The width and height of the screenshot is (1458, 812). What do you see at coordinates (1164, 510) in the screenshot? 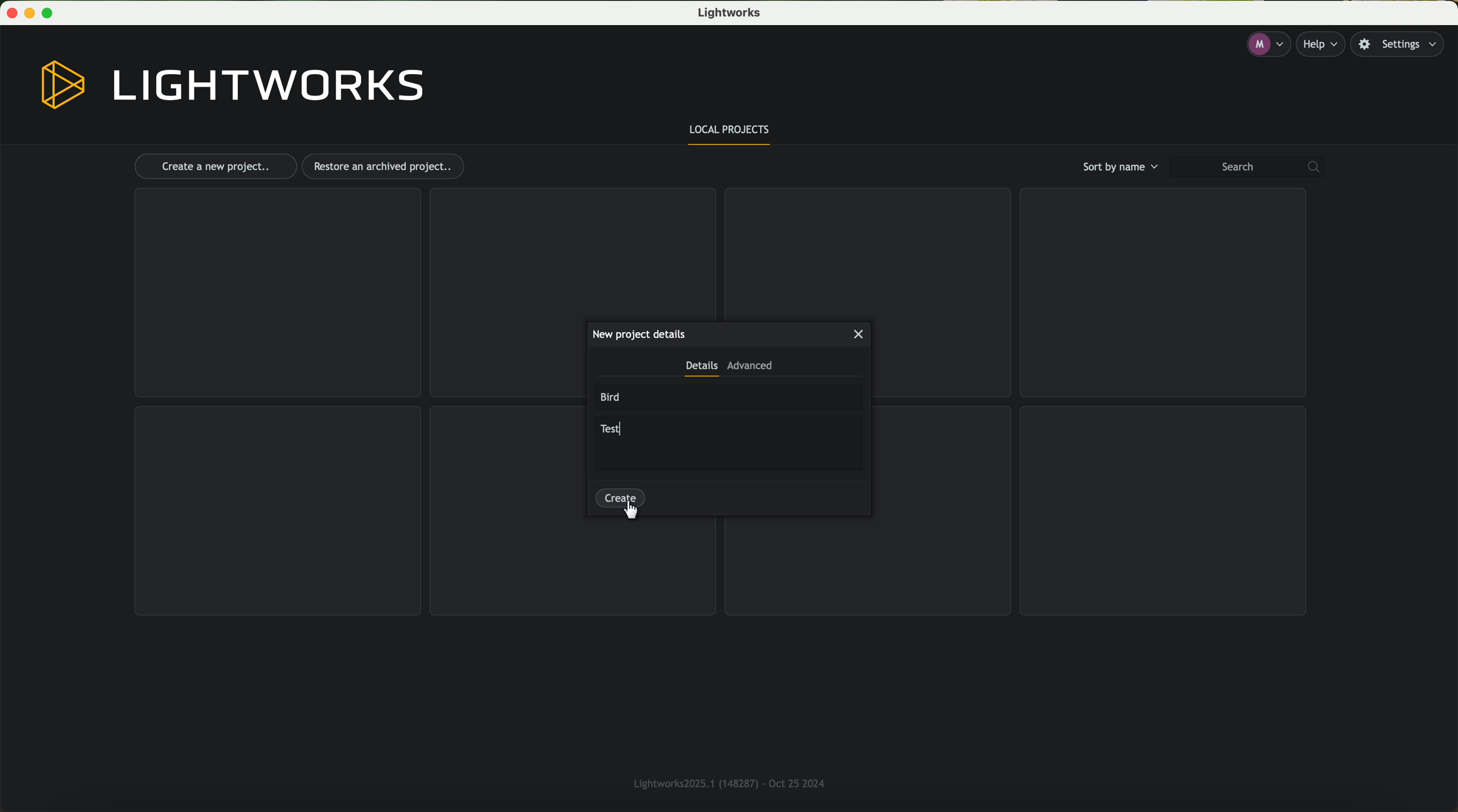
I see `grid` at bounding box center [1164, 510].